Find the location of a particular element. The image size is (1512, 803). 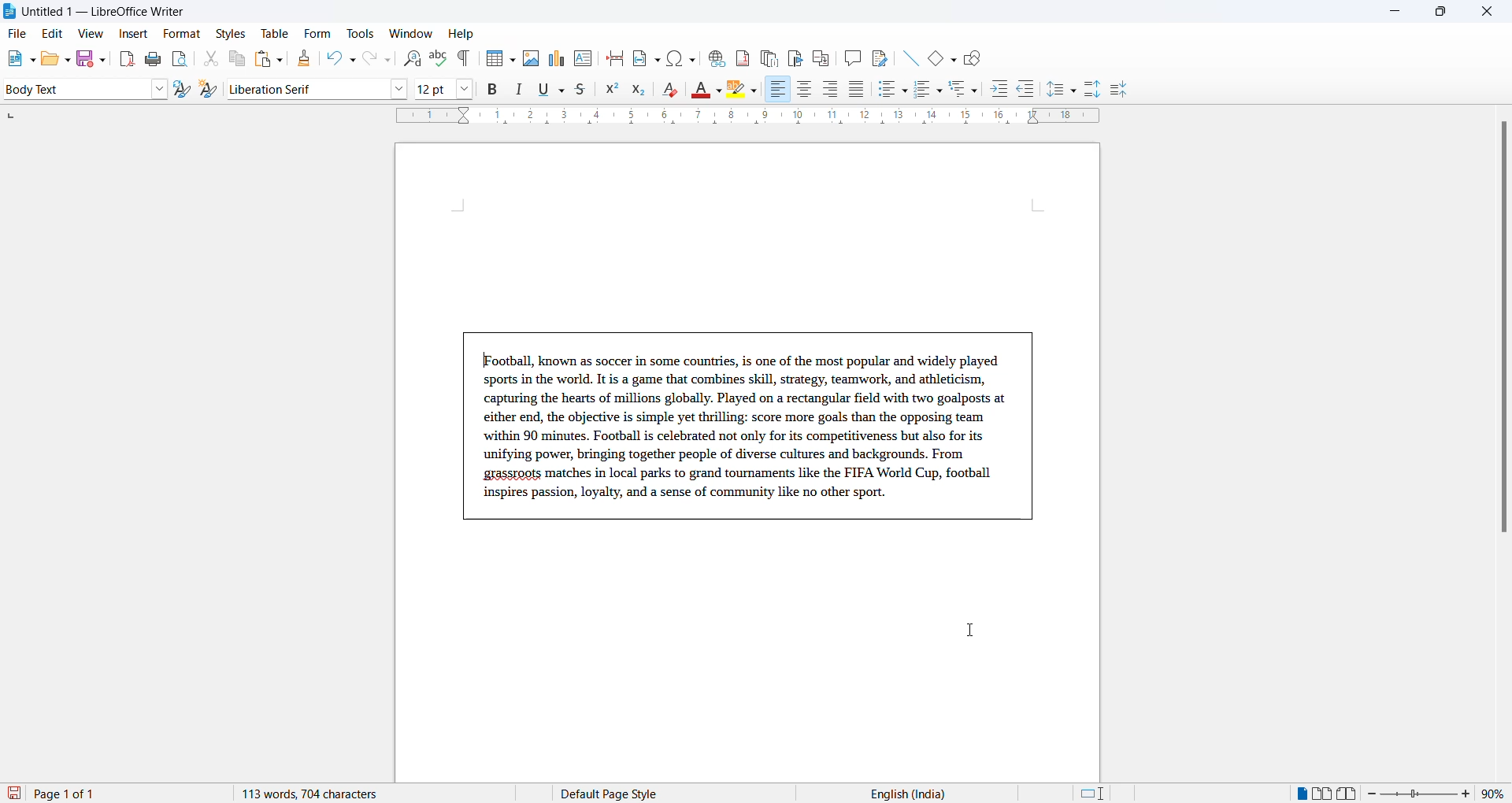

text align center is located at coordinates (805, 90).